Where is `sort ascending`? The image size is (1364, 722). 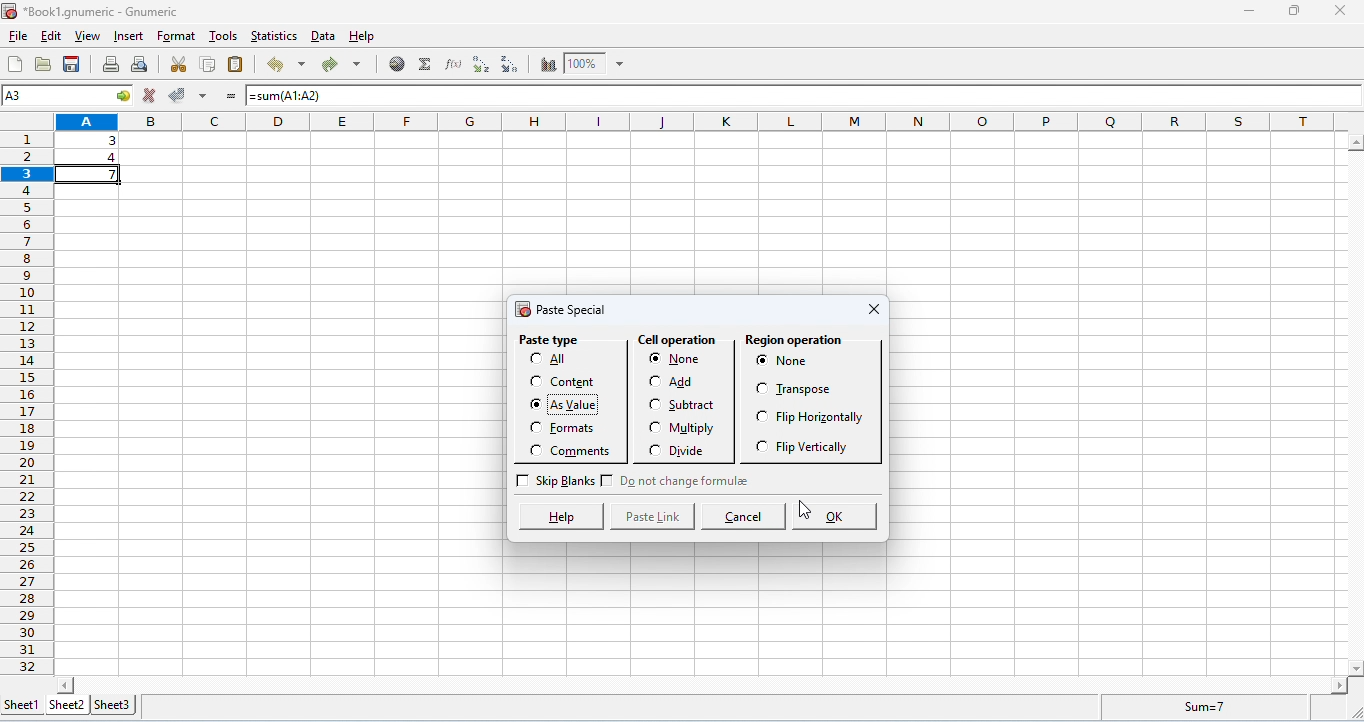 sort ascending is located at coordinates (483, 64).